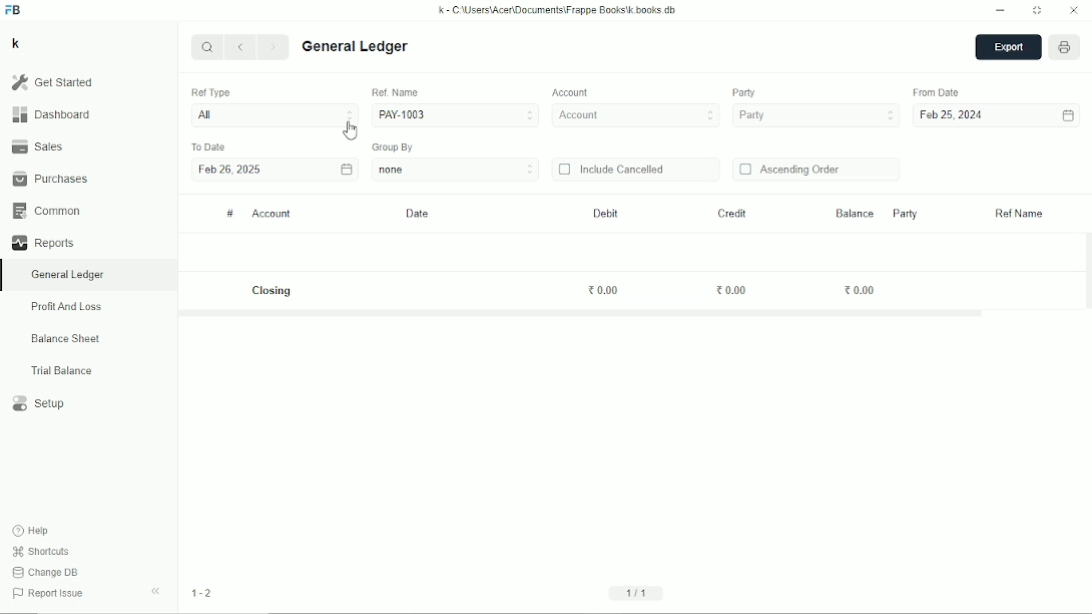  Describe the element at coordinates (953, 116) in the screenshot. I see `Feb 25, 2024` at that location.